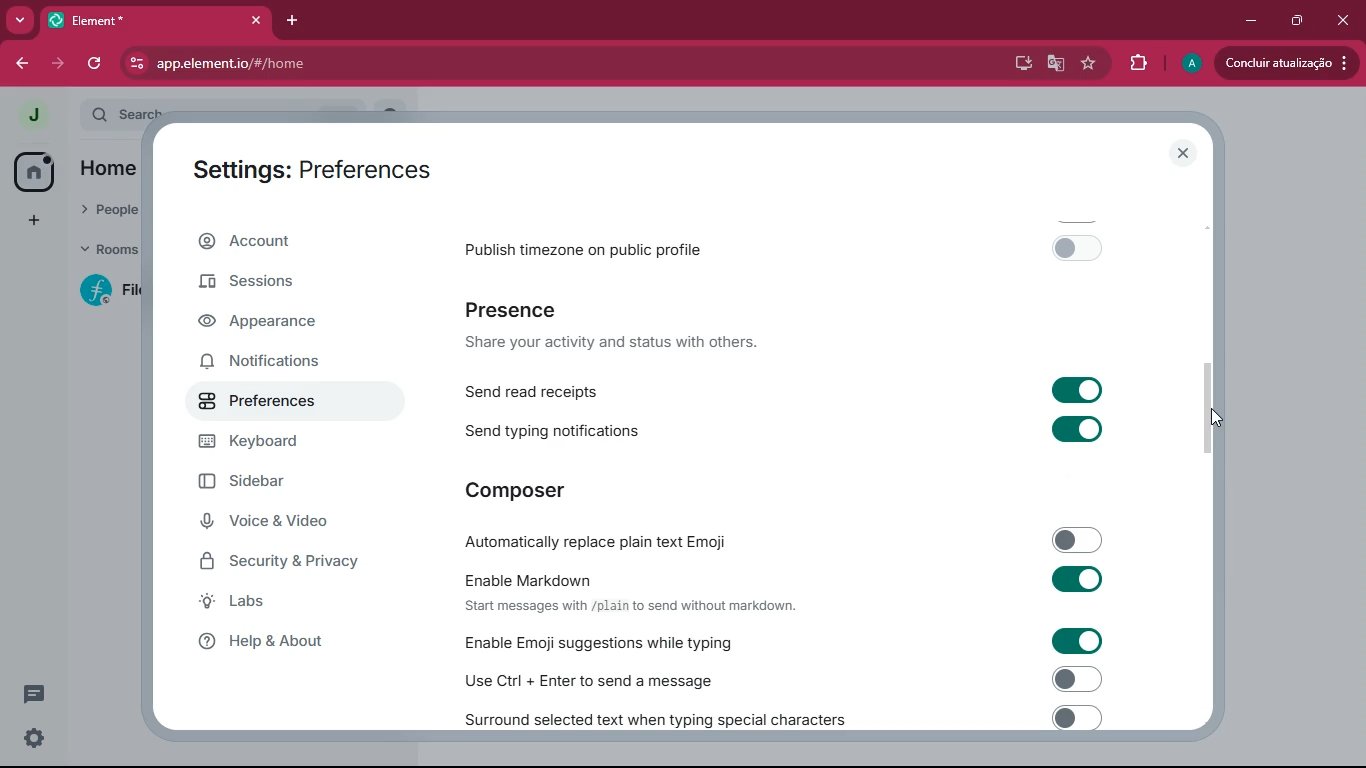 Image resolution: width=1366 pixels, height=768 pixels. I want to click on add, so click(30, 223).